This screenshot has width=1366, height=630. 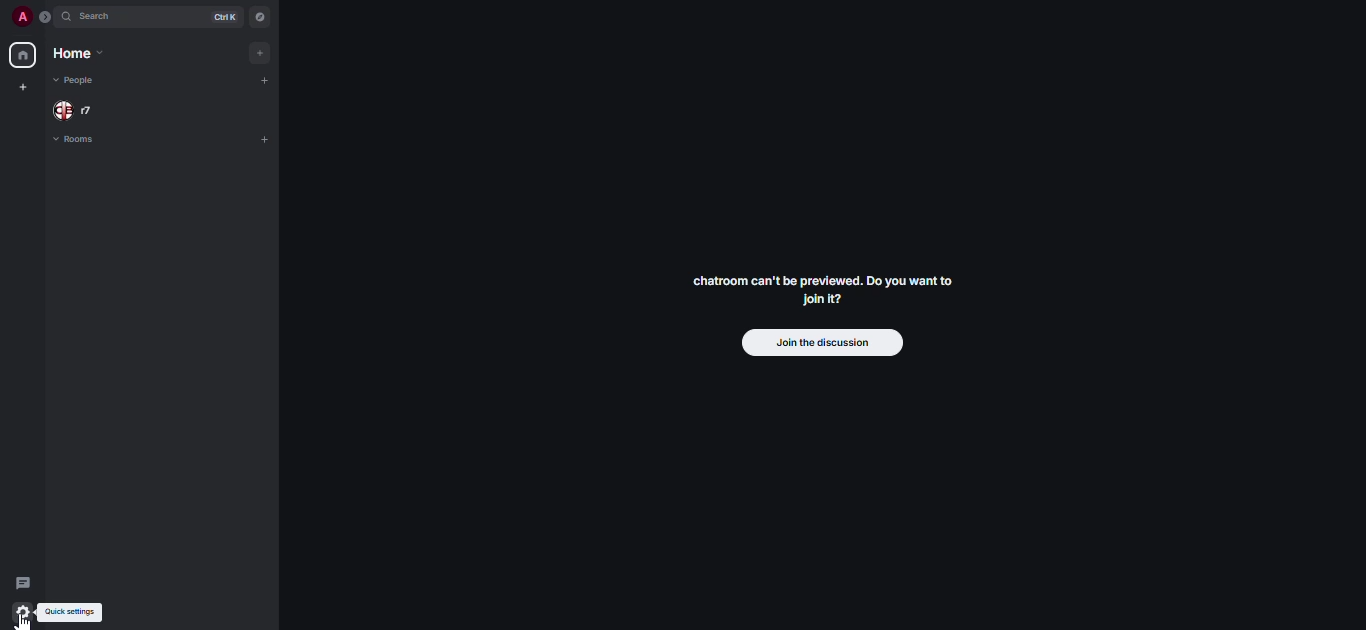 I want to click on people, so click(x=76, y=80).